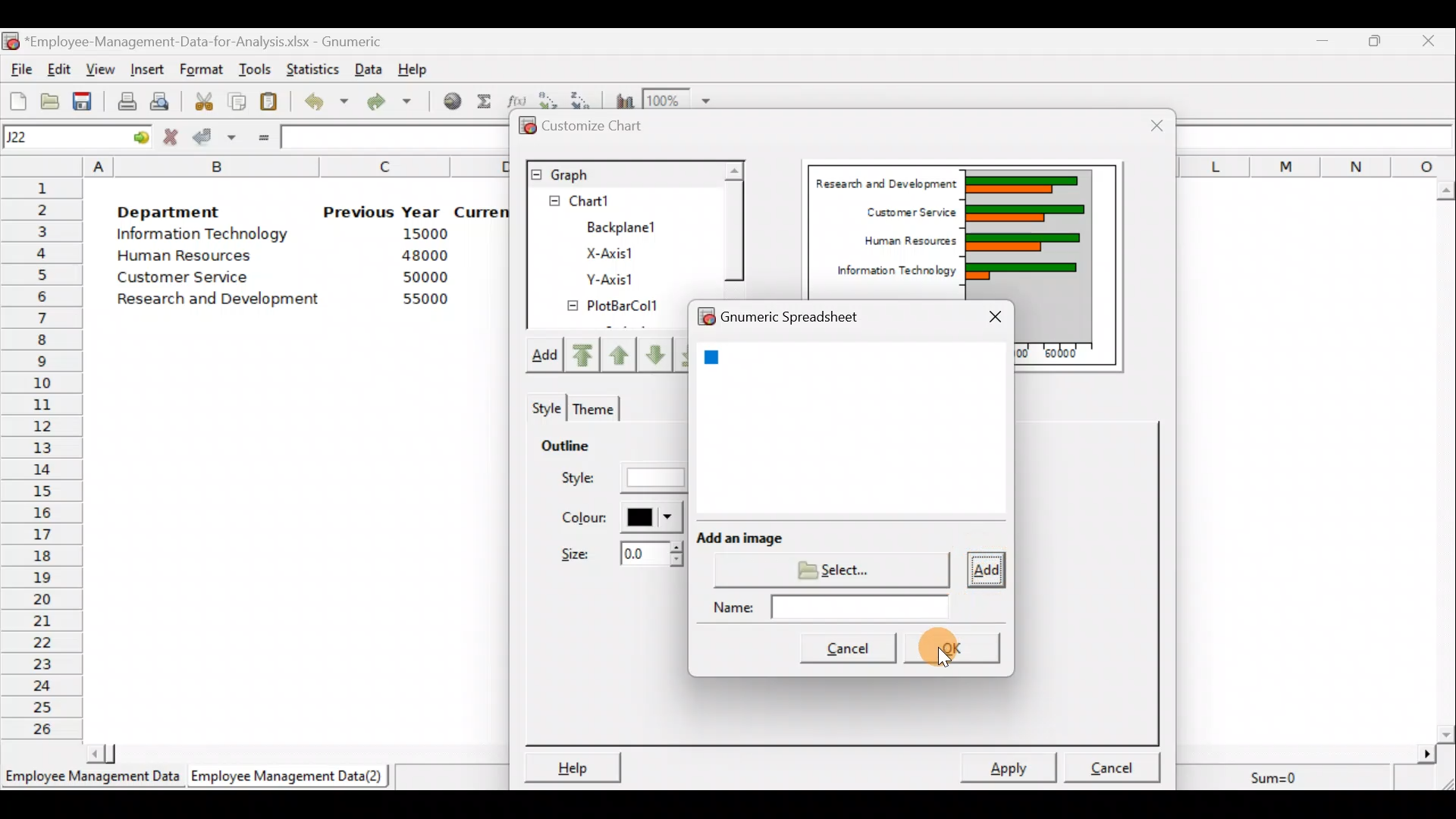 Image resolution: width=1456 pixels, height=819 pixels. Describe the element at coordinates (1025, 226) in the screenshot. I see `Chart Preview` at that location.